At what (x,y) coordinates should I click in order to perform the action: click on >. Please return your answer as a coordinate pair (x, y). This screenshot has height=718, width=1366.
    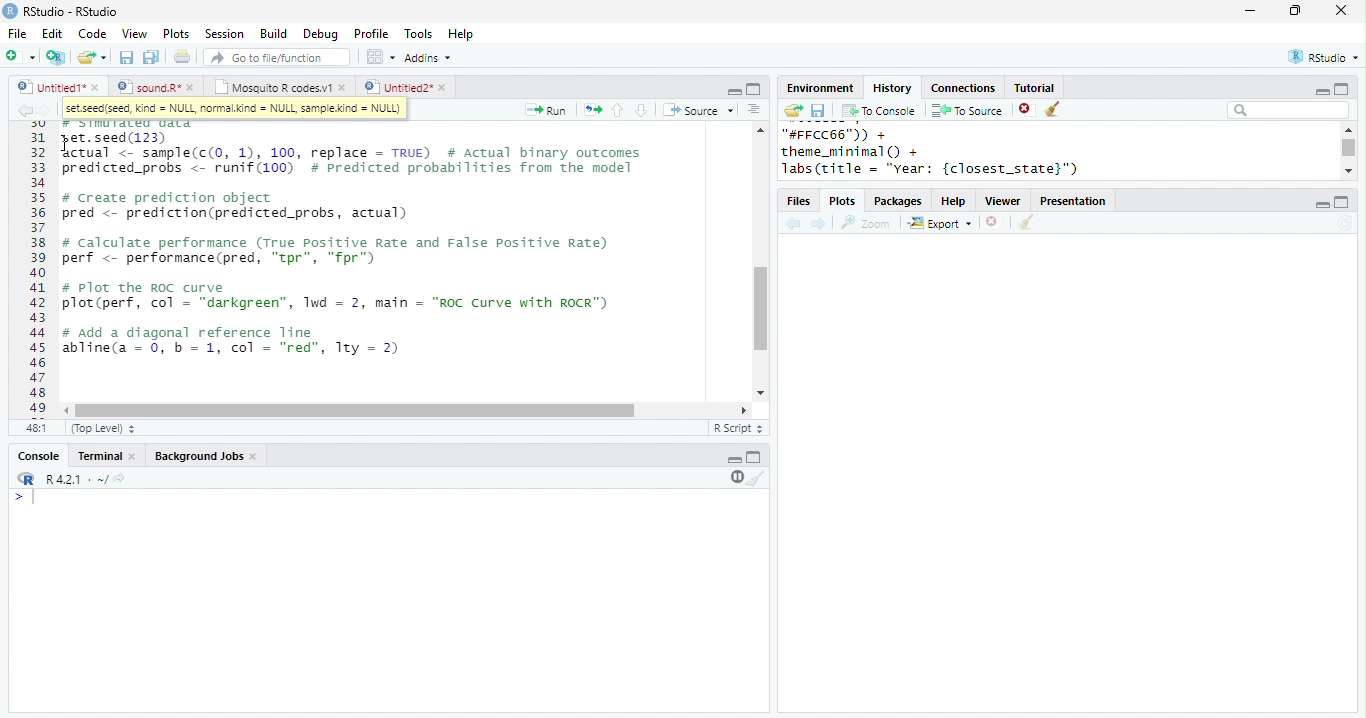
    Looking at the image, I should click on (27, 497).